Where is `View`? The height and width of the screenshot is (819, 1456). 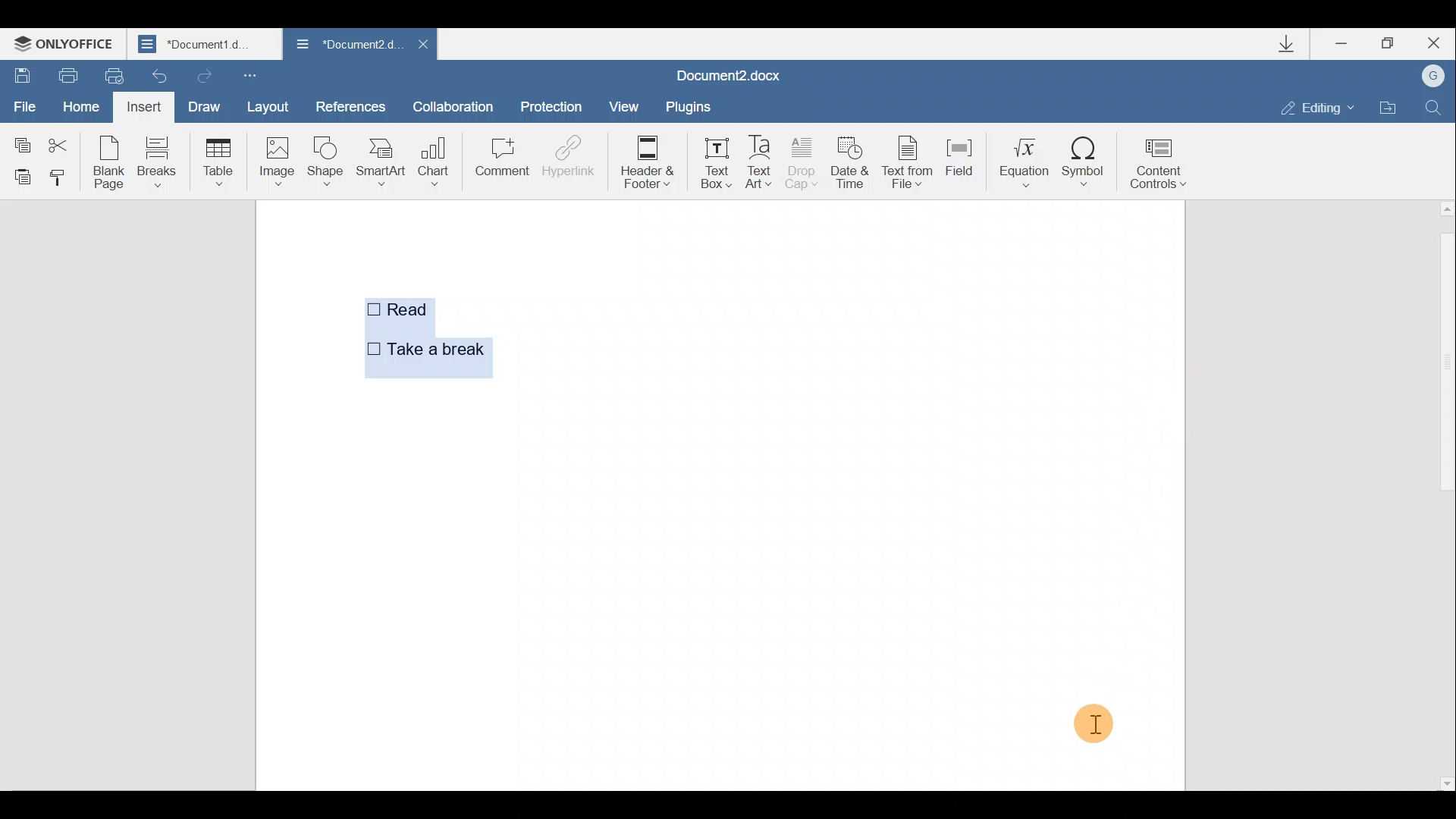 View is located at coordinates (619, 105).